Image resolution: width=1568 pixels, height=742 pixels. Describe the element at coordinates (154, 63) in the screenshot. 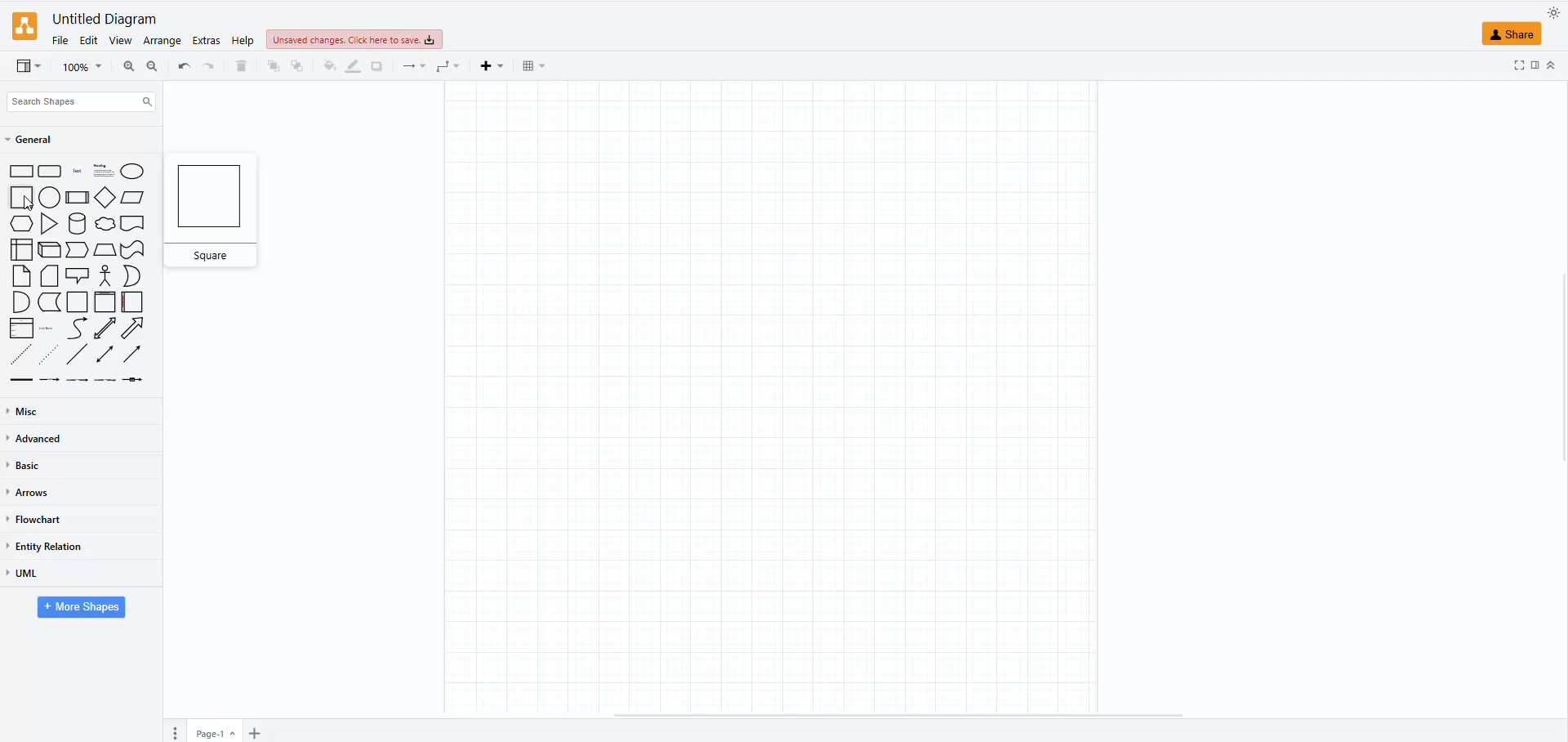

I see `zoom out` at that location.